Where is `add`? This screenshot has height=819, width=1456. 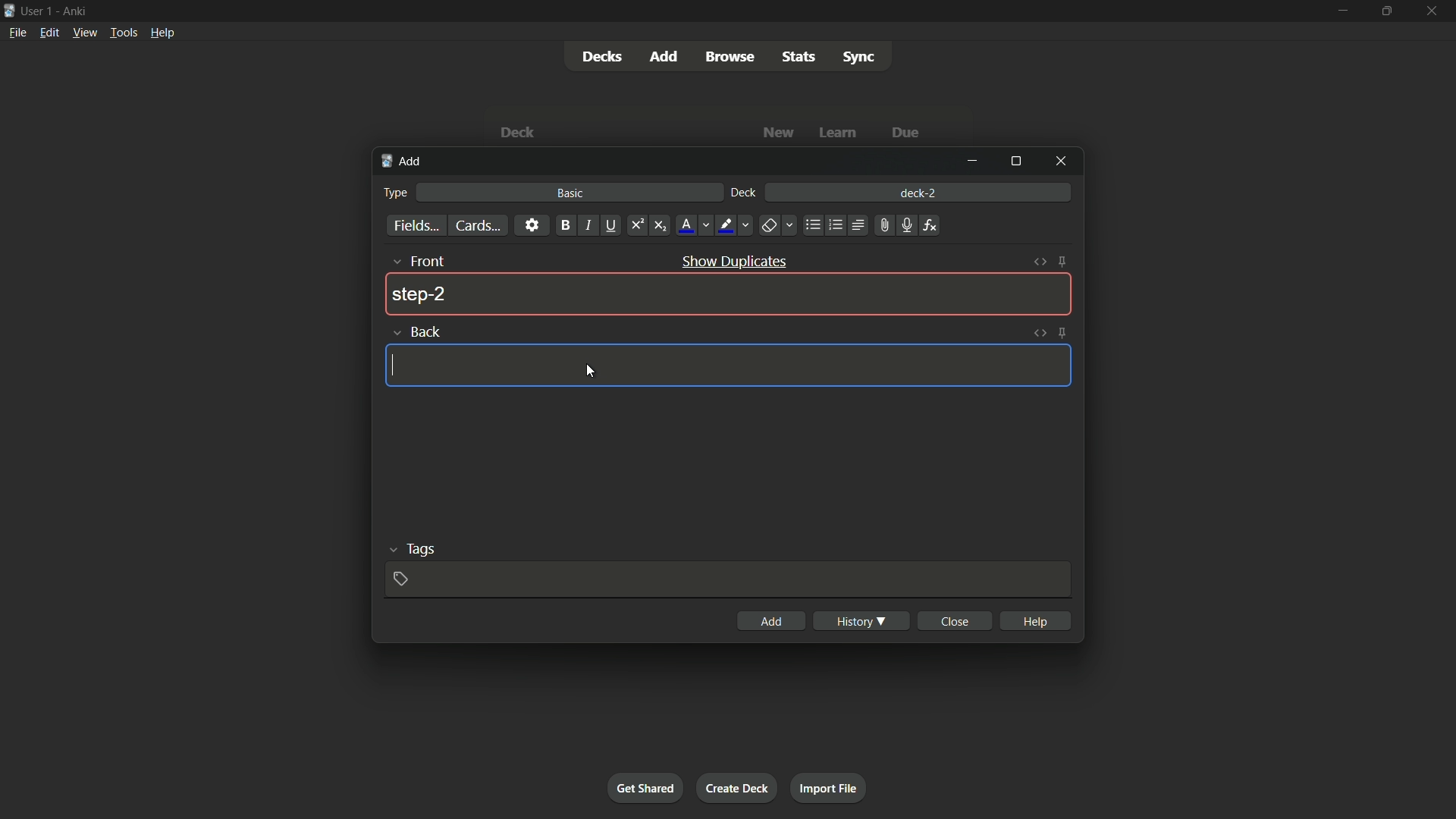 add is located at coordinates (403, 163).